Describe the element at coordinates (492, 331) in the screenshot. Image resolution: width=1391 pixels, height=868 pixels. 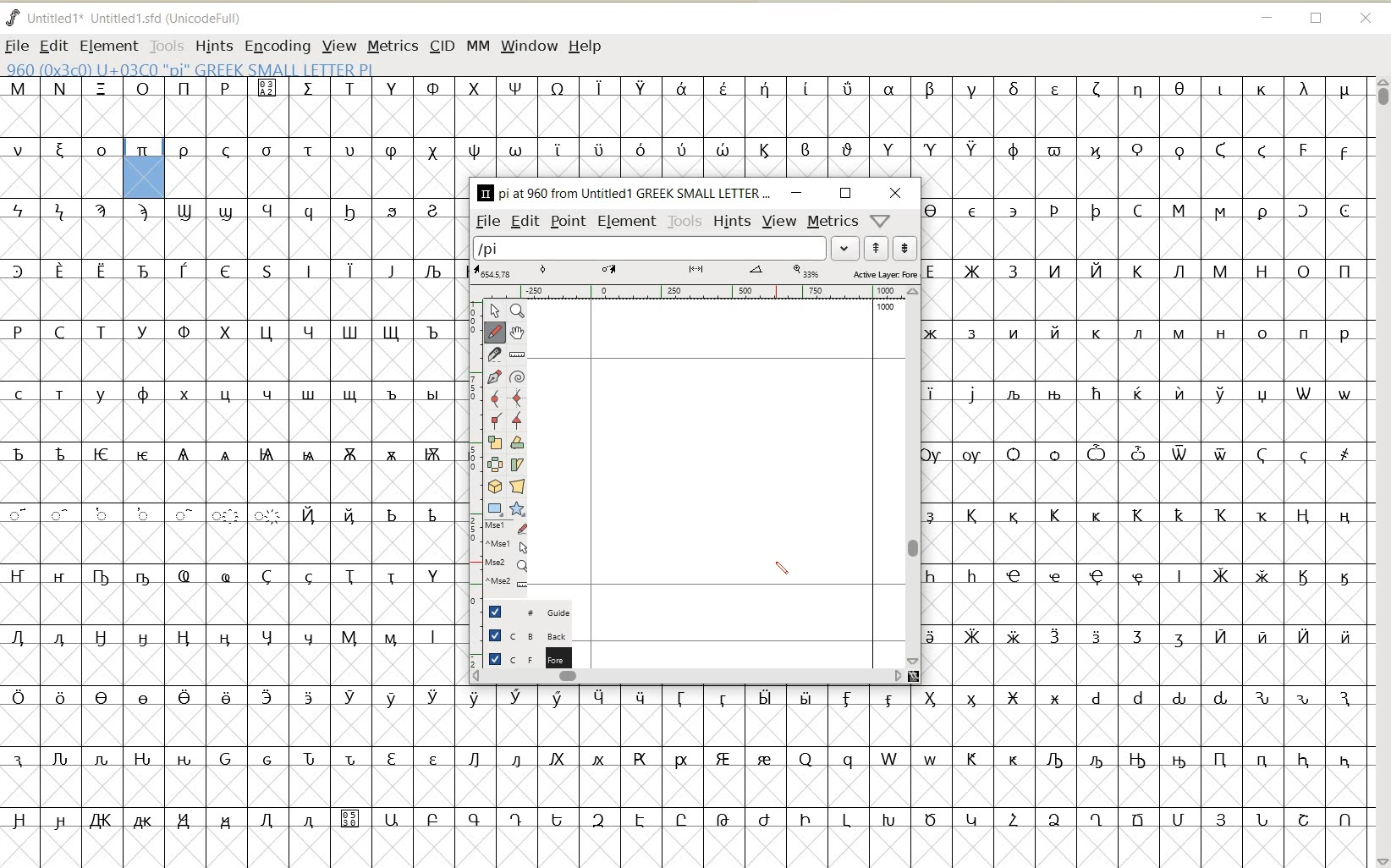
I see `draw a freehand curve` at that location.